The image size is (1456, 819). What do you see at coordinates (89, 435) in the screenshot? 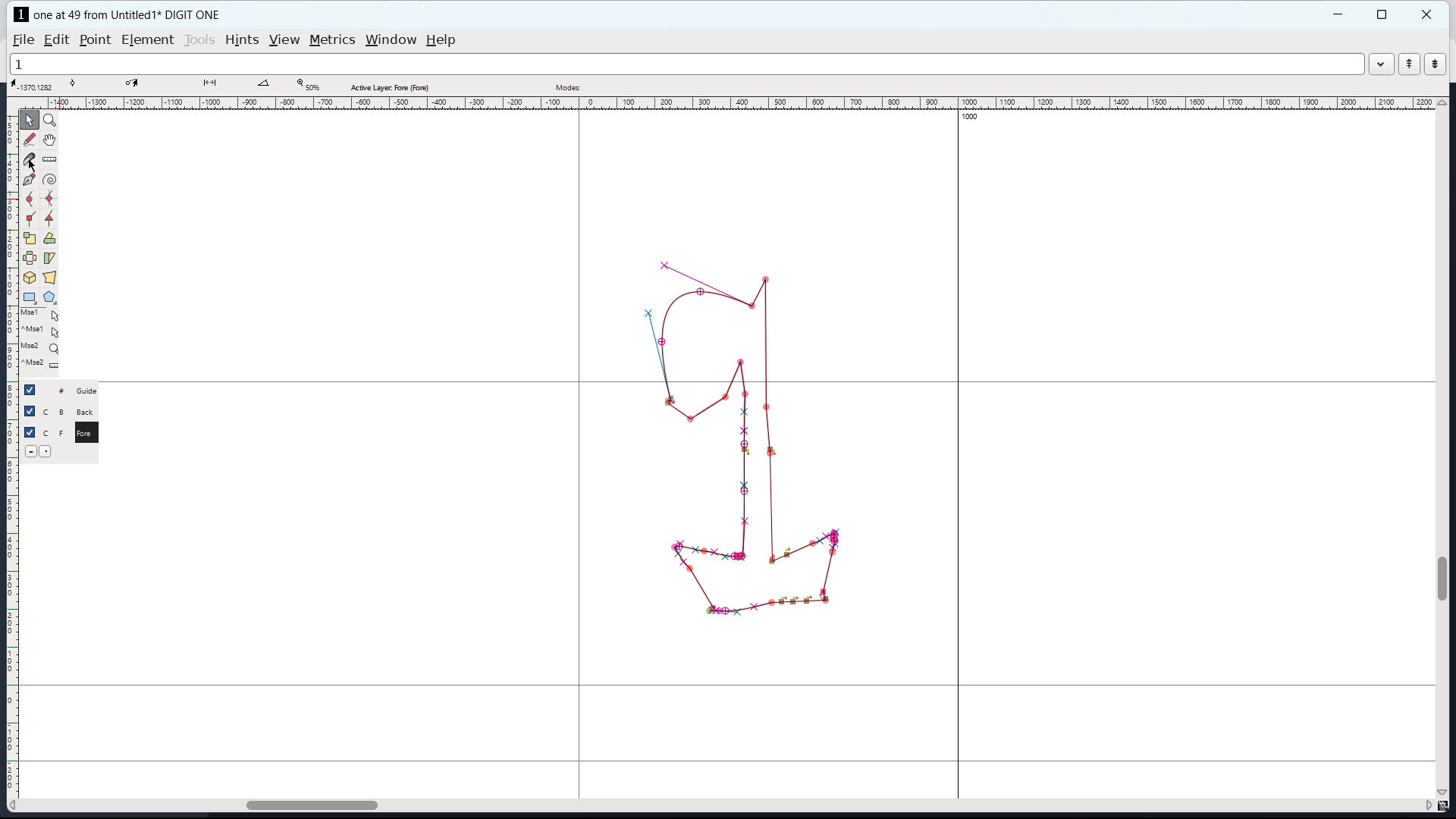
I see `fore` at bounding box center [89, 435].